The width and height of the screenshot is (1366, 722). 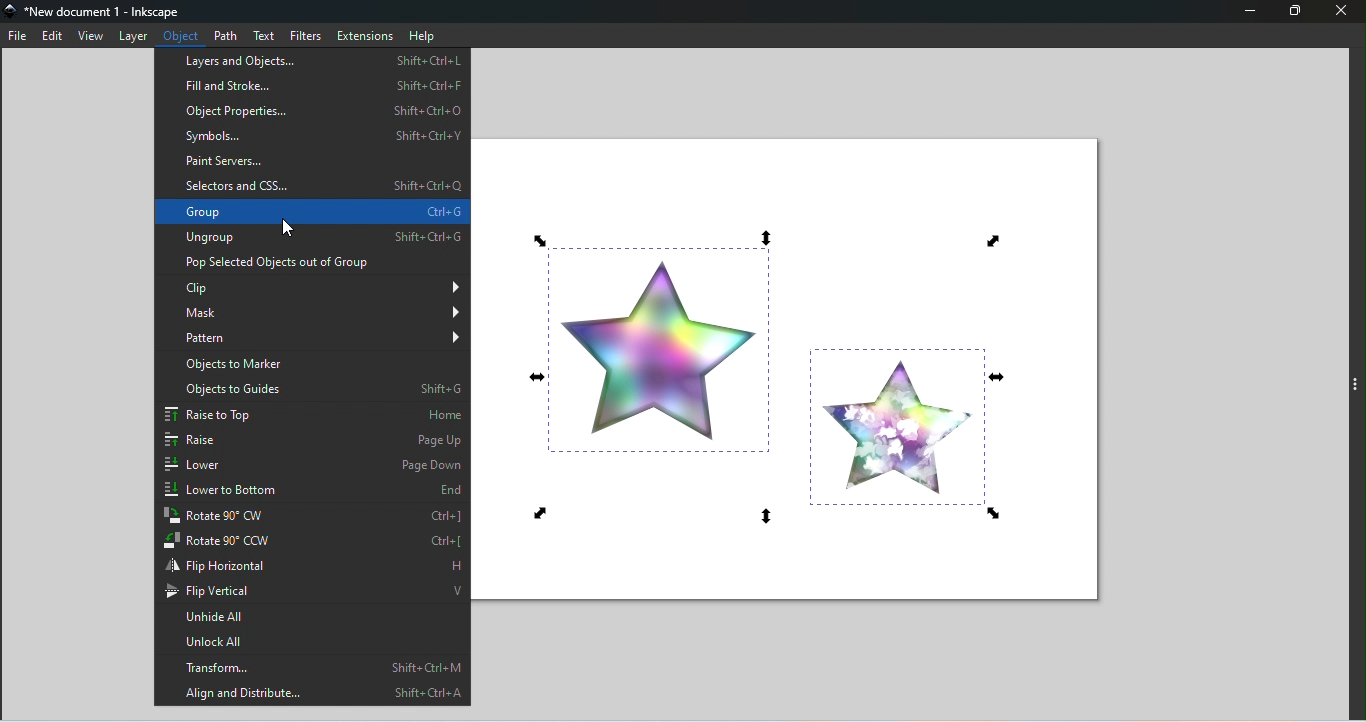 I want to click on Text, so click(x=268, y=37).